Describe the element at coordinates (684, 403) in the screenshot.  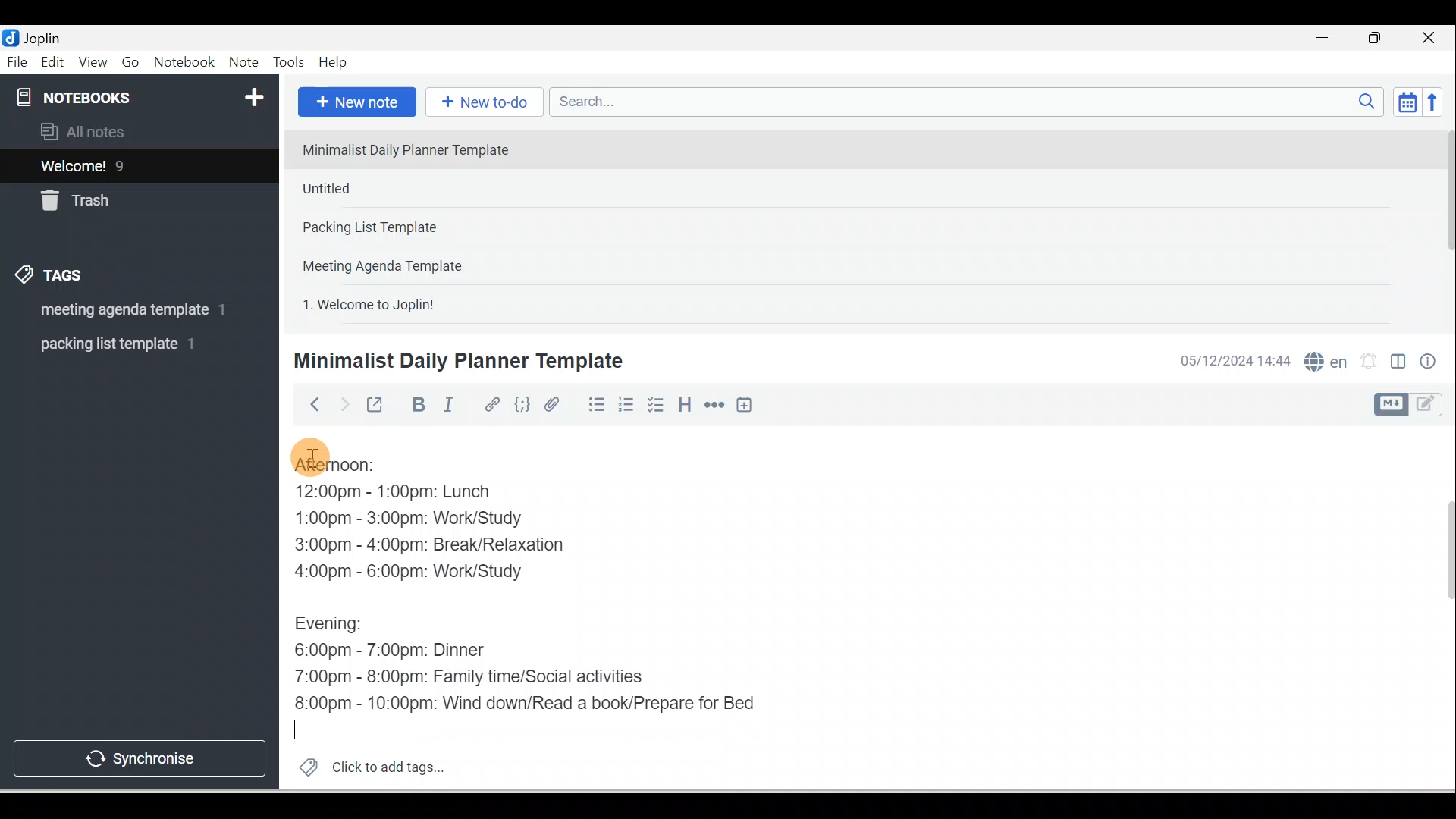
I see `Heading` at that location.